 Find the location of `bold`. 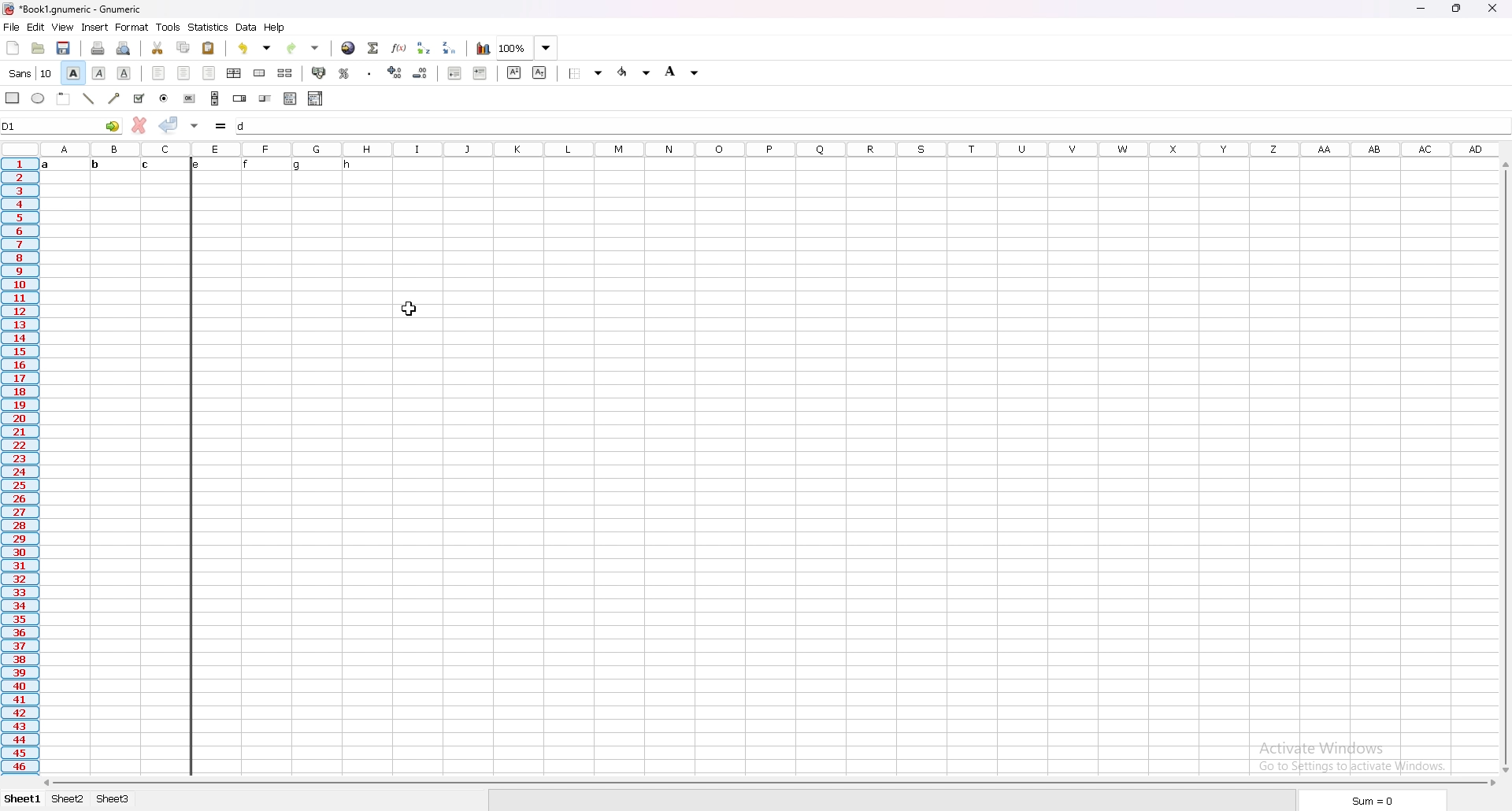

bold is located at coordinates (72, 73).